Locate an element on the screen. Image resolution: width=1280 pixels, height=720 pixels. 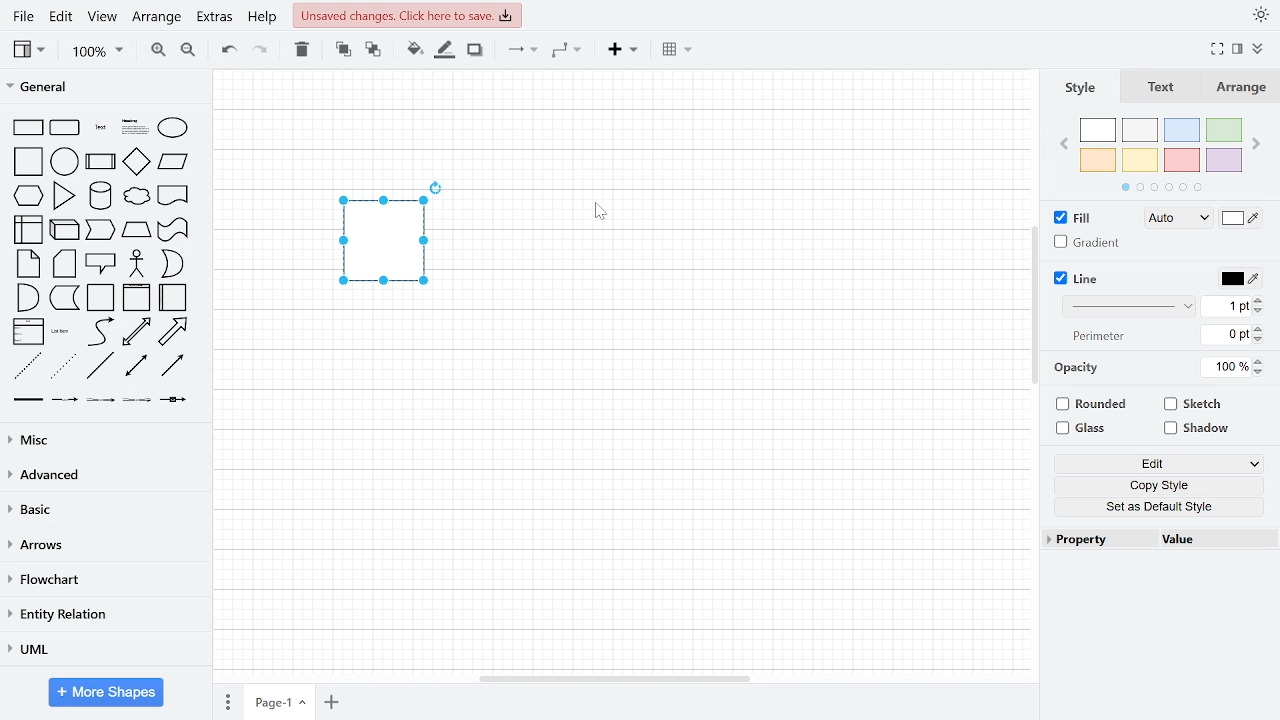
current line width is located at coordinates (1226, 307).